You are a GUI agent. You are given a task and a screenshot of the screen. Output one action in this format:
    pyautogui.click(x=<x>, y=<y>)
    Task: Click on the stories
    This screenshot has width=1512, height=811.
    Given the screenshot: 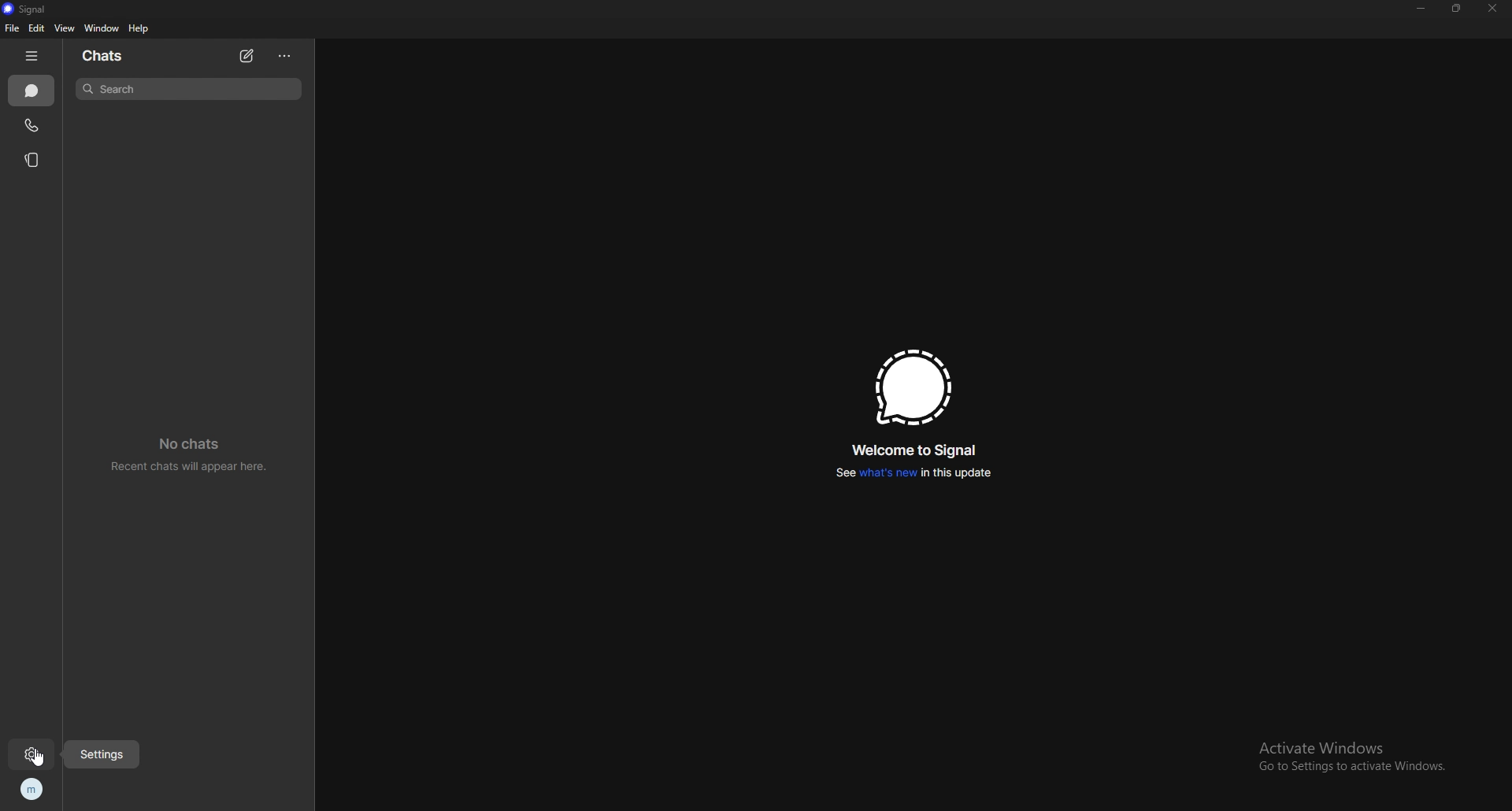 What is the action you would take?
    pyautogui.click(x=33, y=159)
    